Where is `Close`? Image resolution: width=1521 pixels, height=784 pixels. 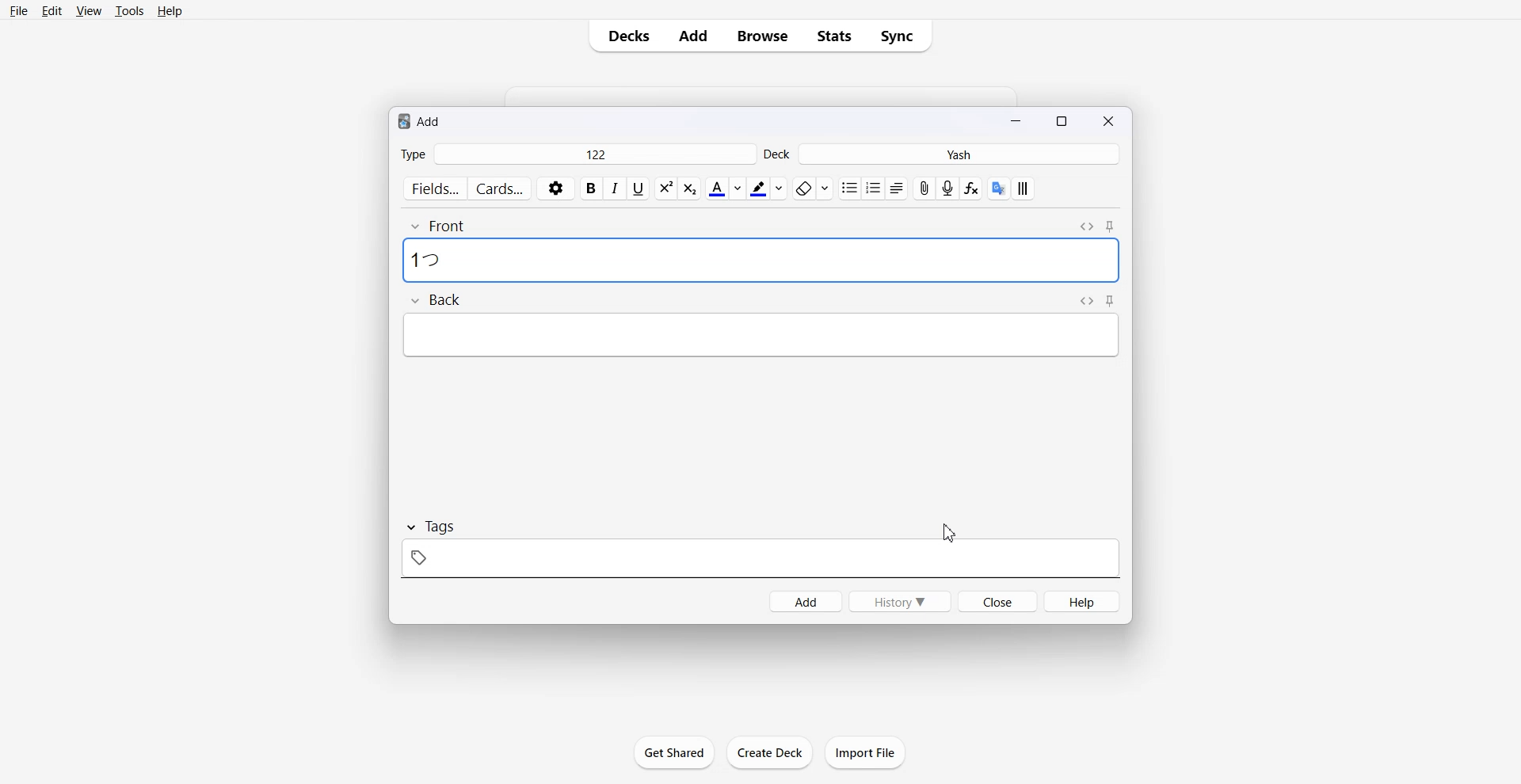
Close is located at coordinates (1107, 120).